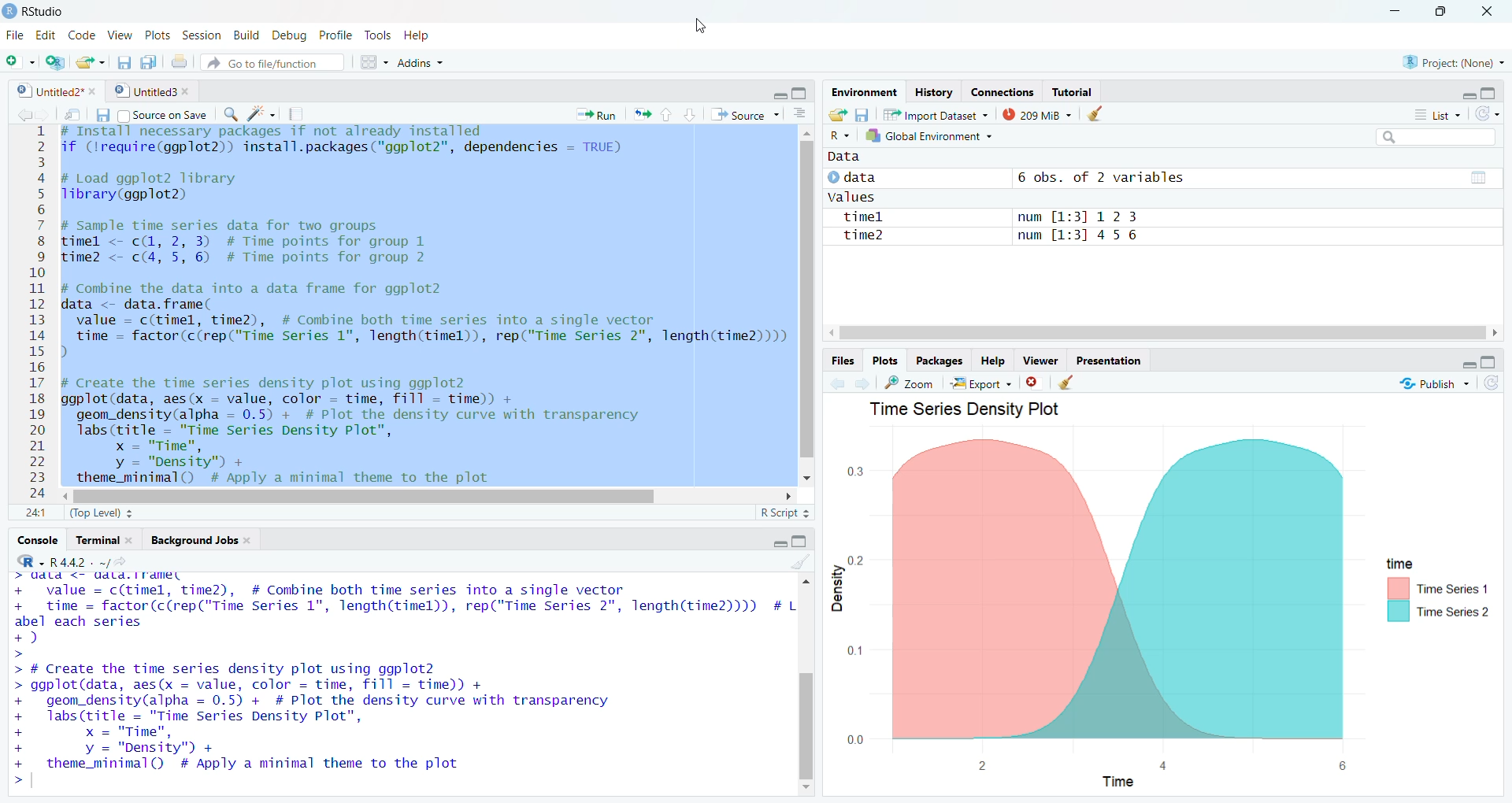 Image resolution: width=1512 pixels, height=803 pixels. I want to click on File, so click(15, 35).